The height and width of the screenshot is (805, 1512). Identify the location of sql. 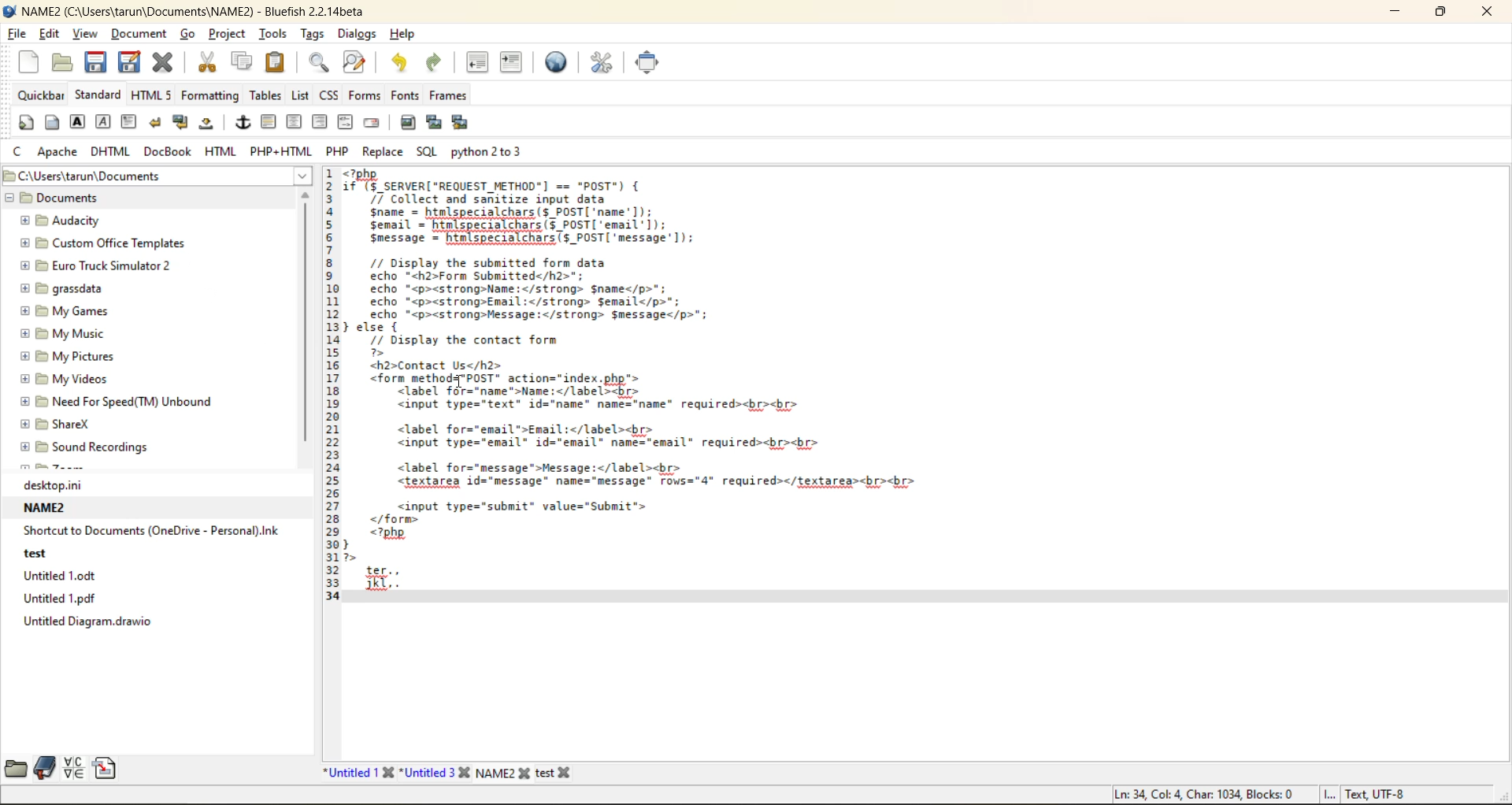
(428, 152).